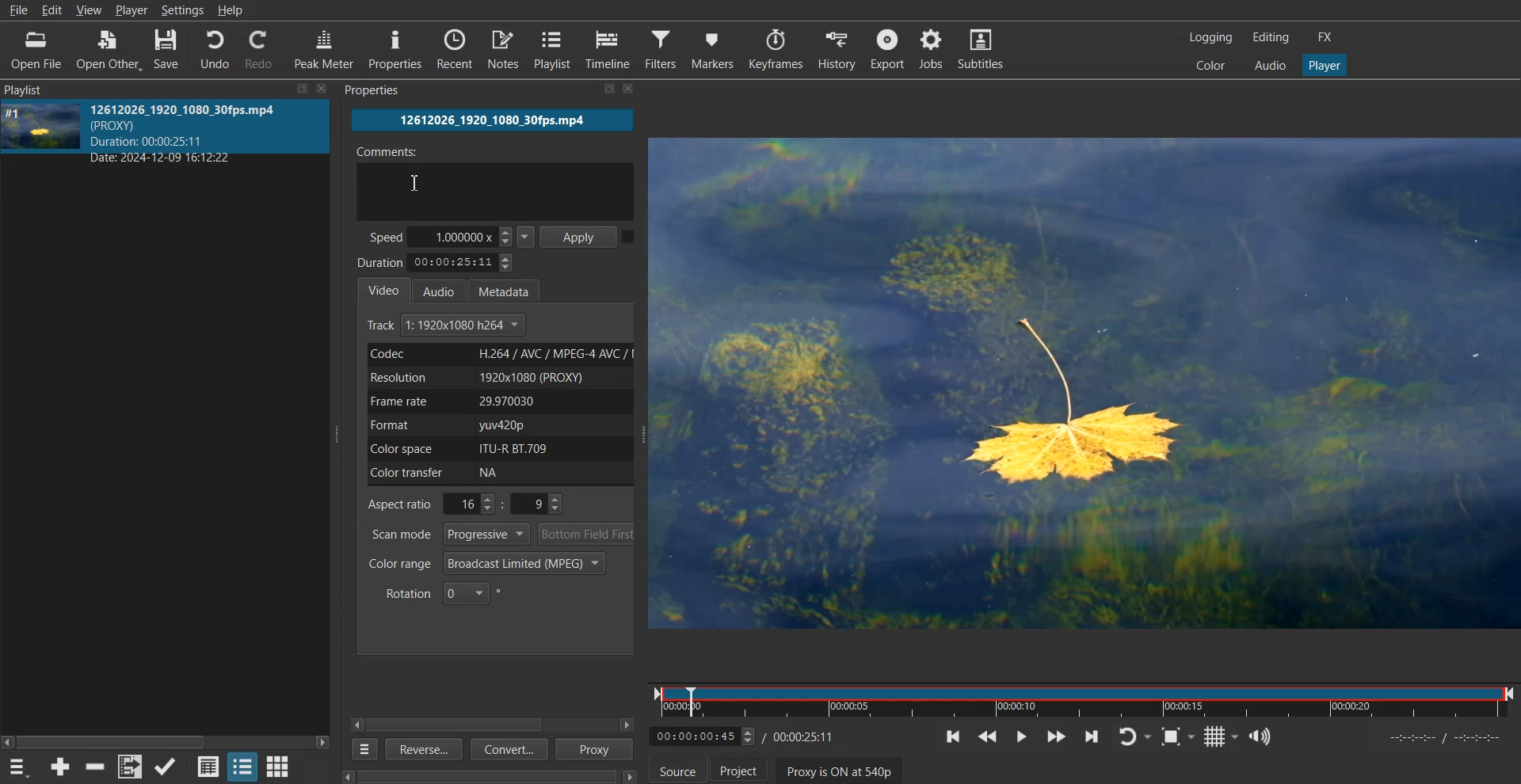  Describe the element at coordinates (596, 749) in the screenshot. I see `Proxy` at that location.